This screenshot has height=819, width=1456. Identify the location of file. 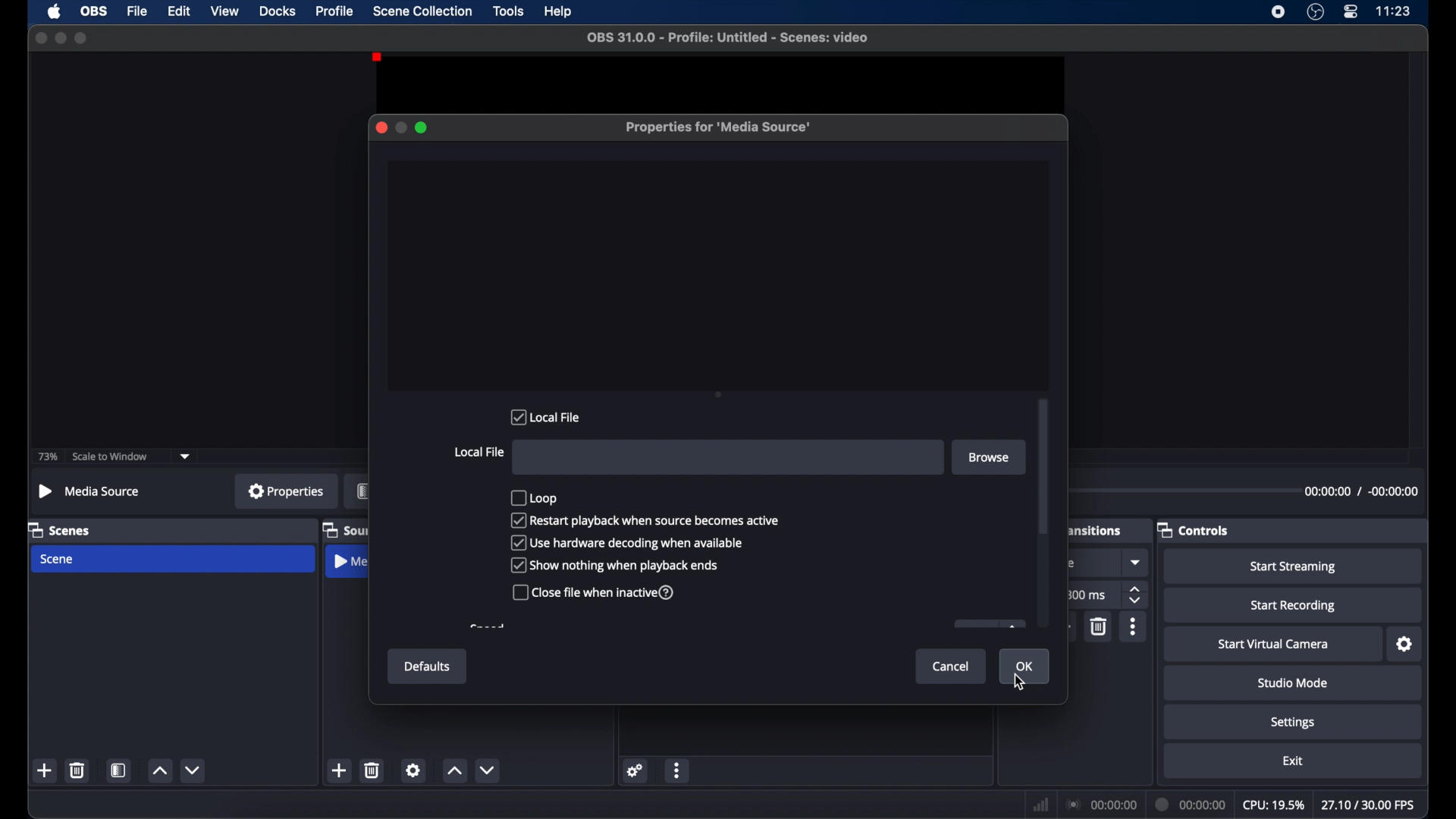
(137, 12).